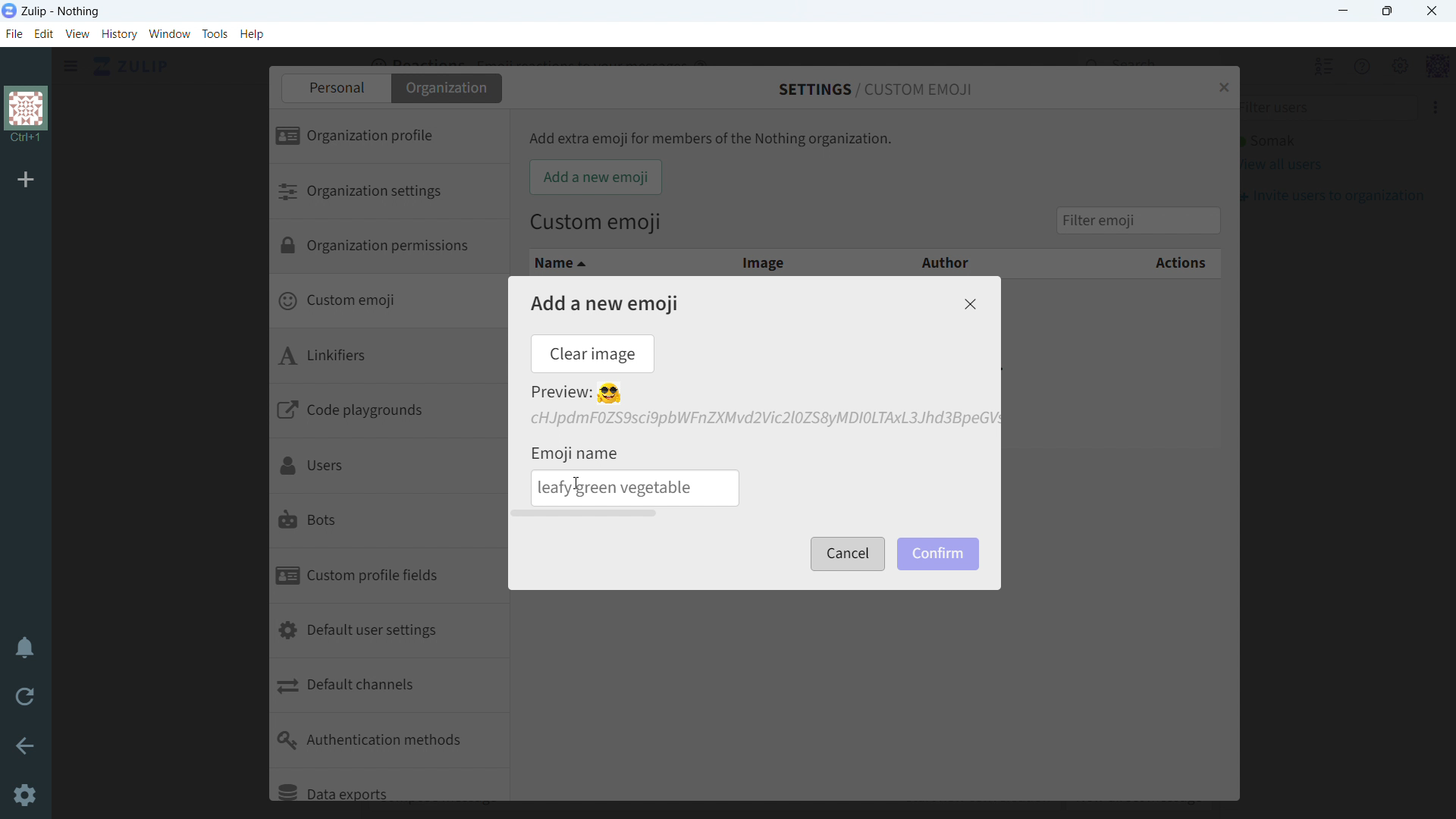 The image size is (1456, 819). I want to click on organization, so click(25, 116).